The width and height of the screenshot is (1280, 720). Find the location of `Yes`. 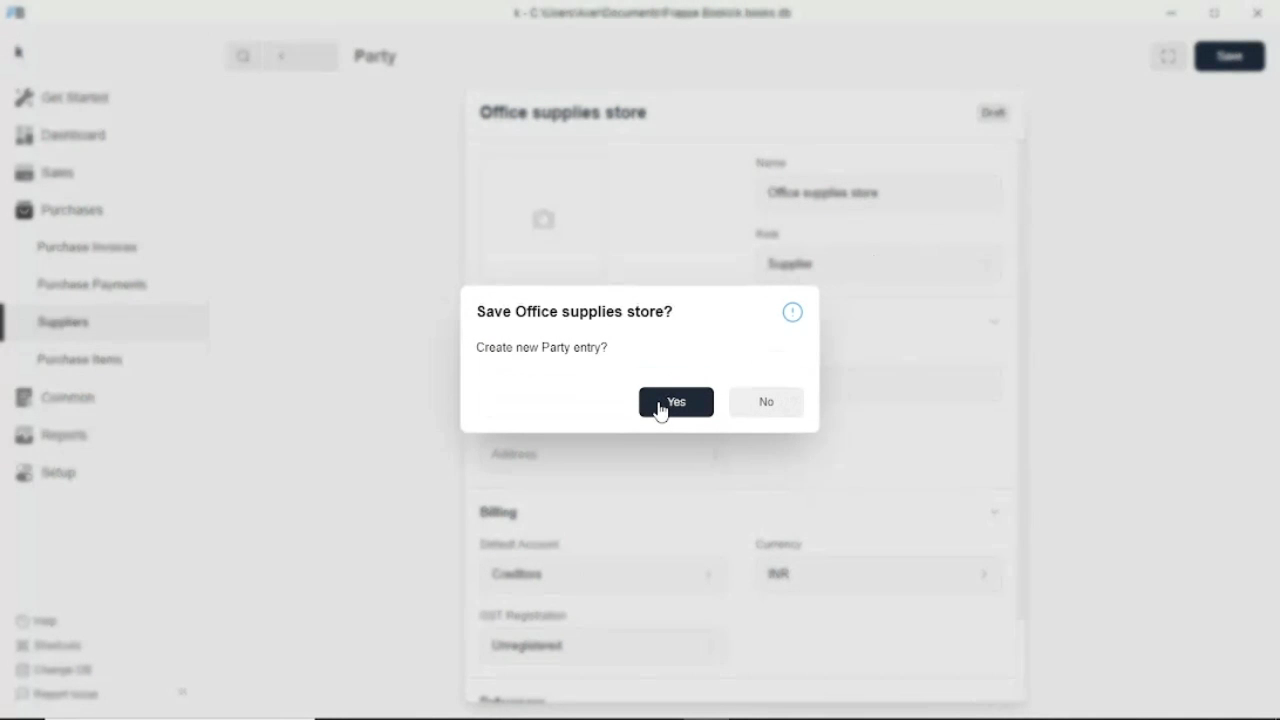

Yes is located at coordinates (677, 402).